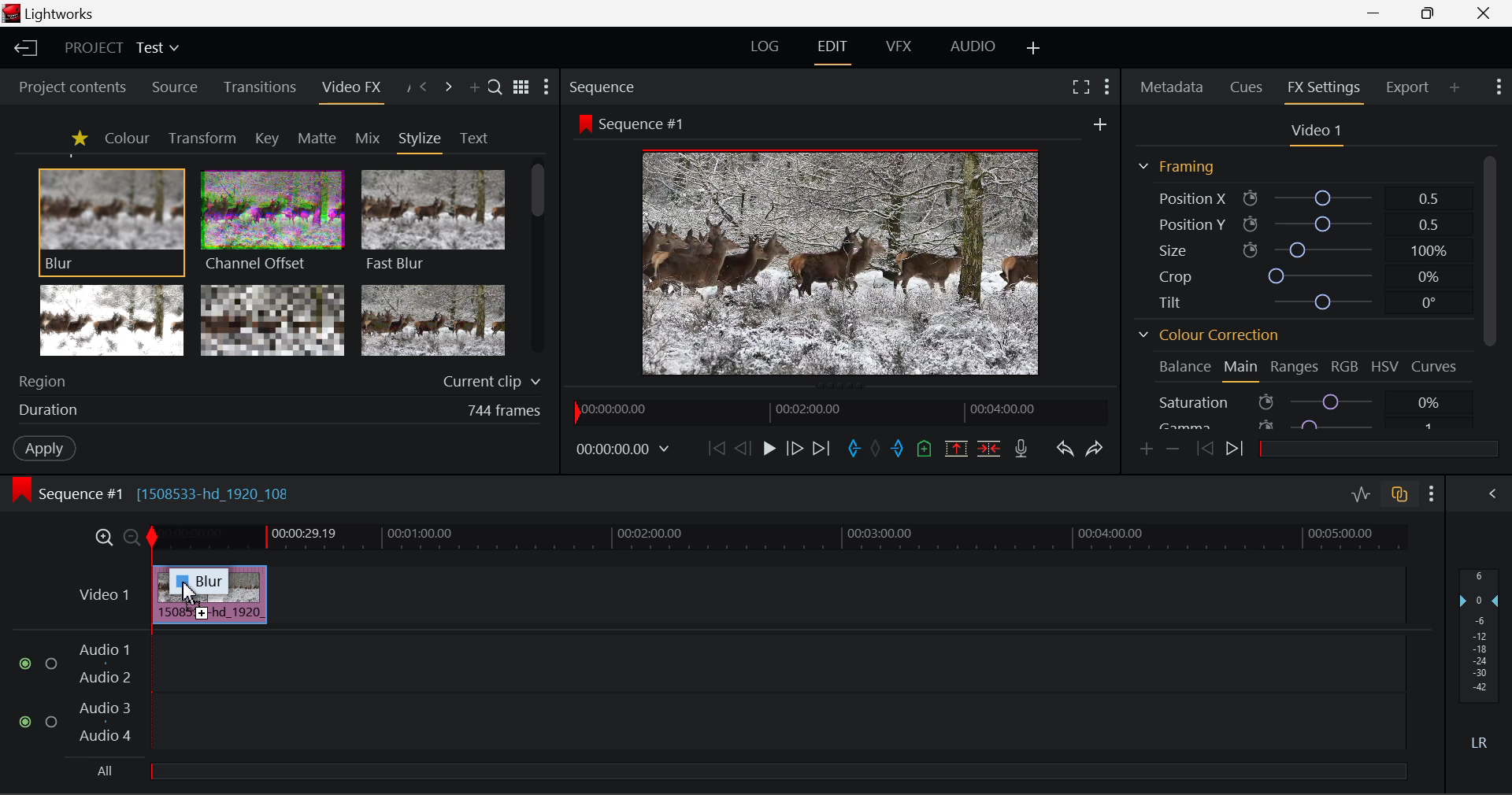  What do you see at coordinates (449, 87) in the screenshot?
I see `Next Panel` at bounding box center [449, 87].